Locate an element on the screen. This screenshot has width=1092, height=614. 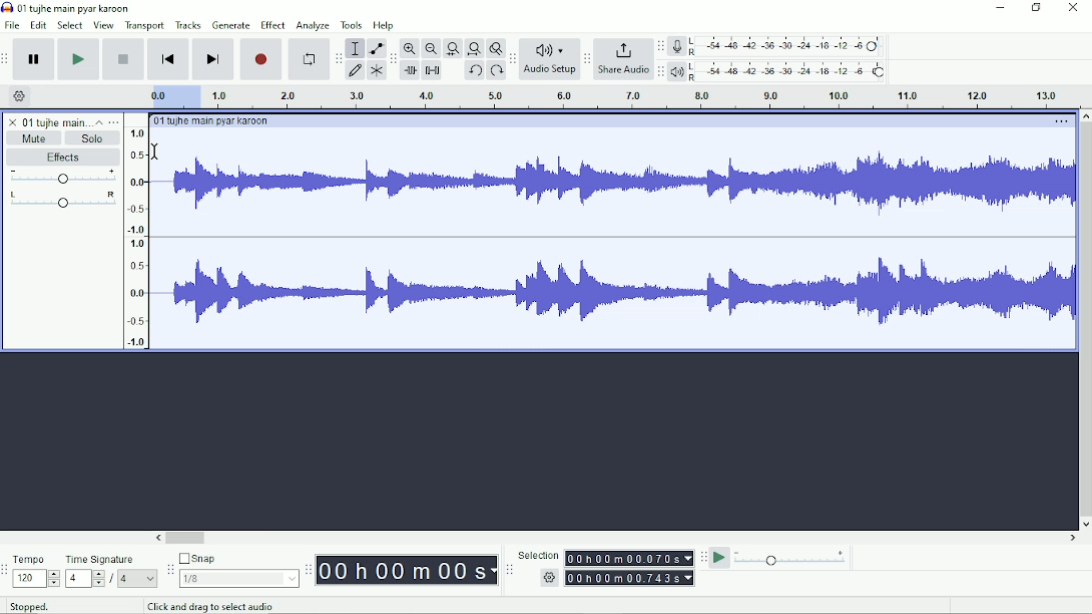
Collapse is located at coordinates (99, 122).